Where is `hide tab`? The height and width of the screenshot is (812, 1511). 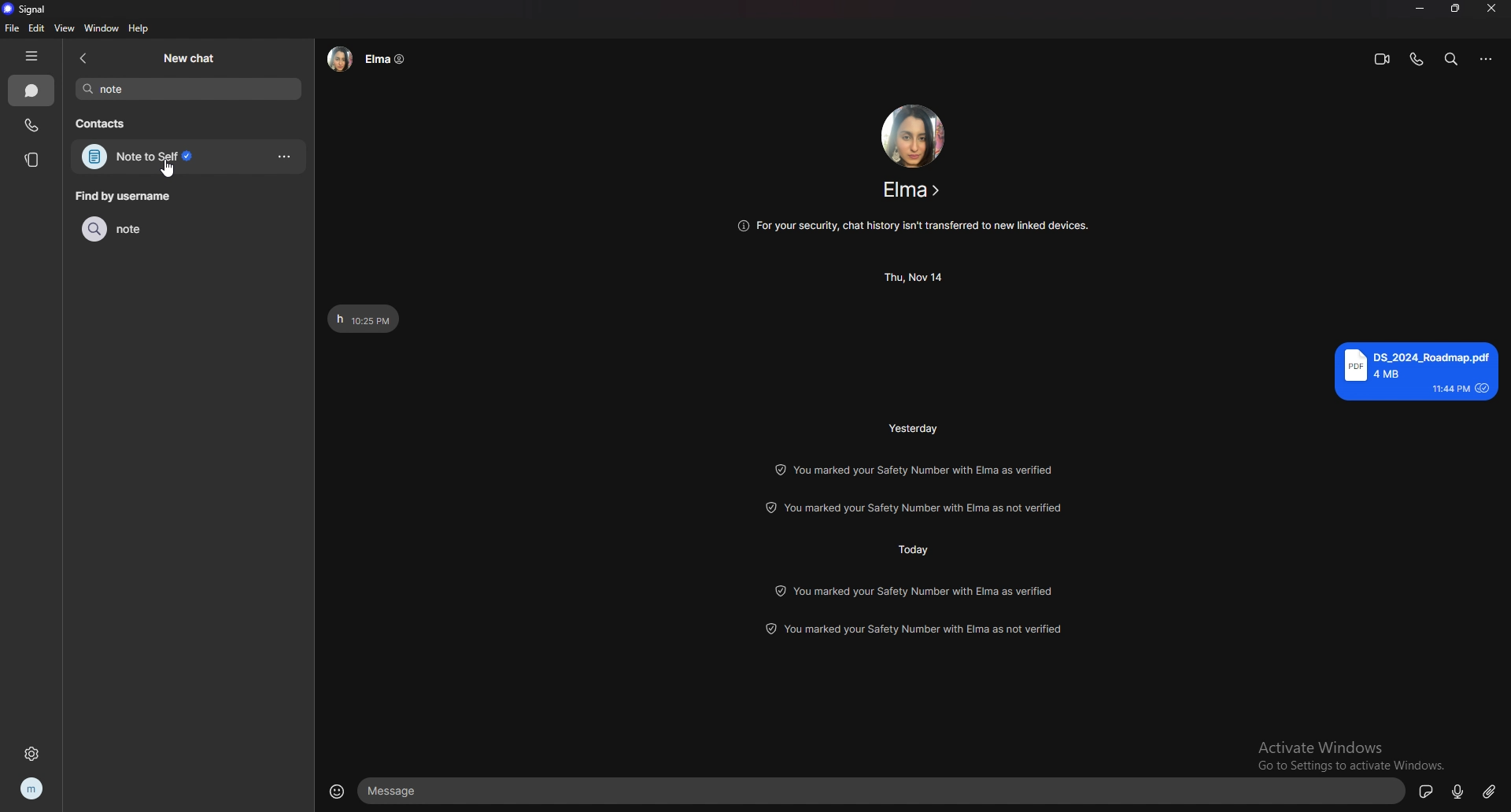 hide tab is located at coordinates (31, 56).